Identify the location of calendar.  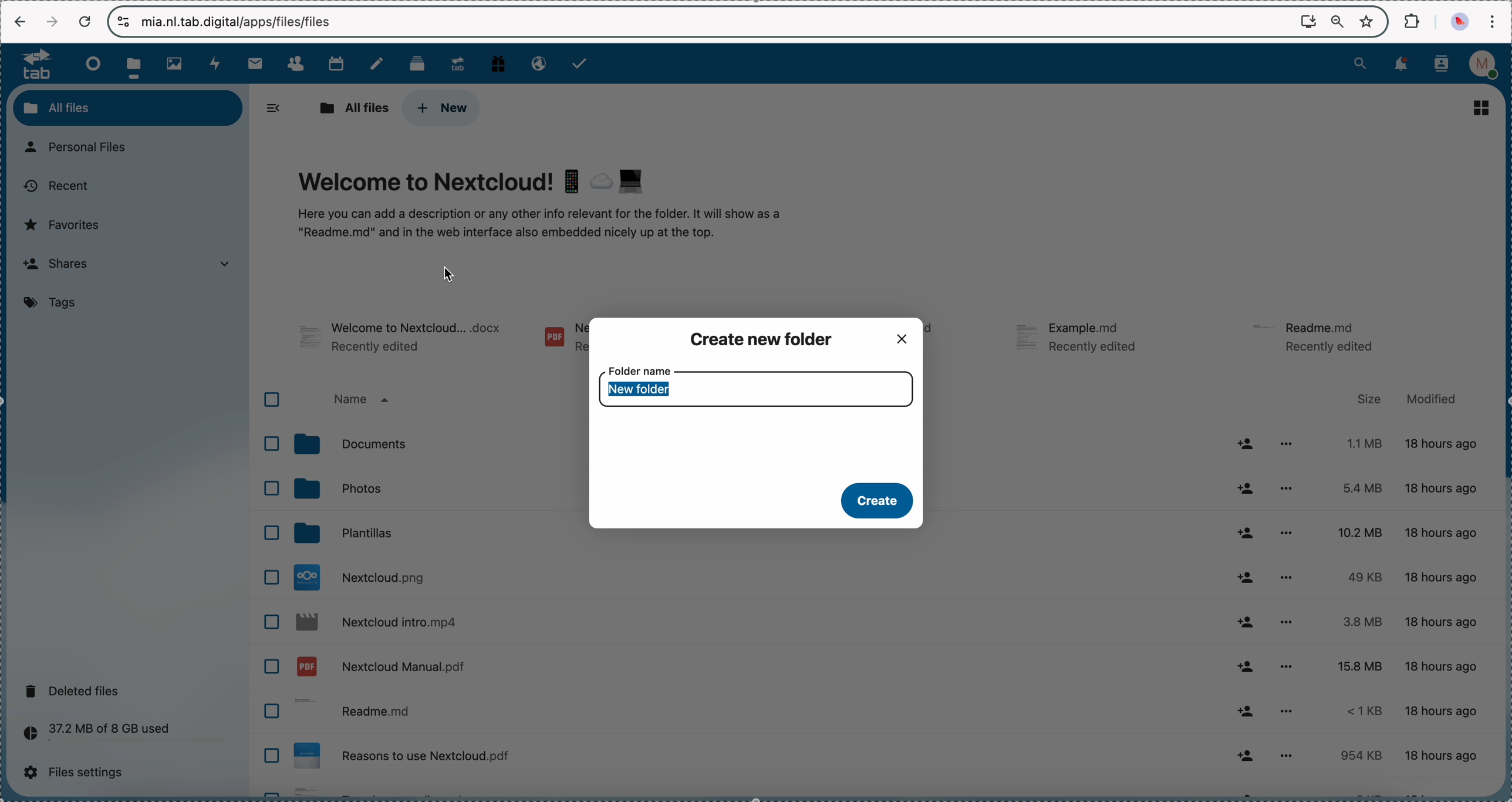
(336, 62).